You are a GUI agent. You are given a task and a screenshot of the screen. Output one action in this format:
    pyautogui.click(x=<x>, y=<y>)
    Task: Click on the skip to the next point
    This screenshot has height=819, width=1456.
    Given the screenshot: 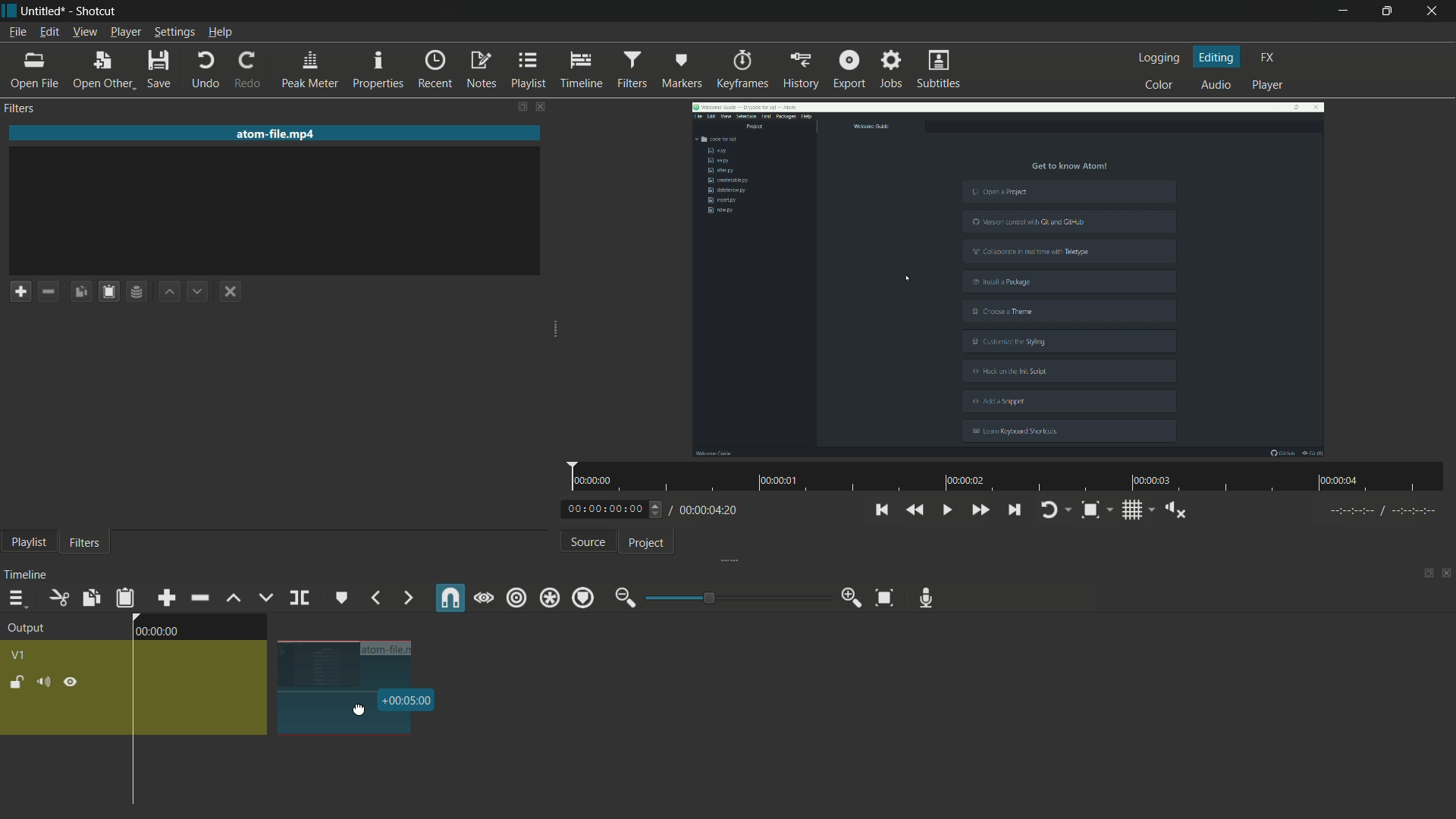 What is the action you would take?
    pyautogui.click(x=1014, y=510)
    